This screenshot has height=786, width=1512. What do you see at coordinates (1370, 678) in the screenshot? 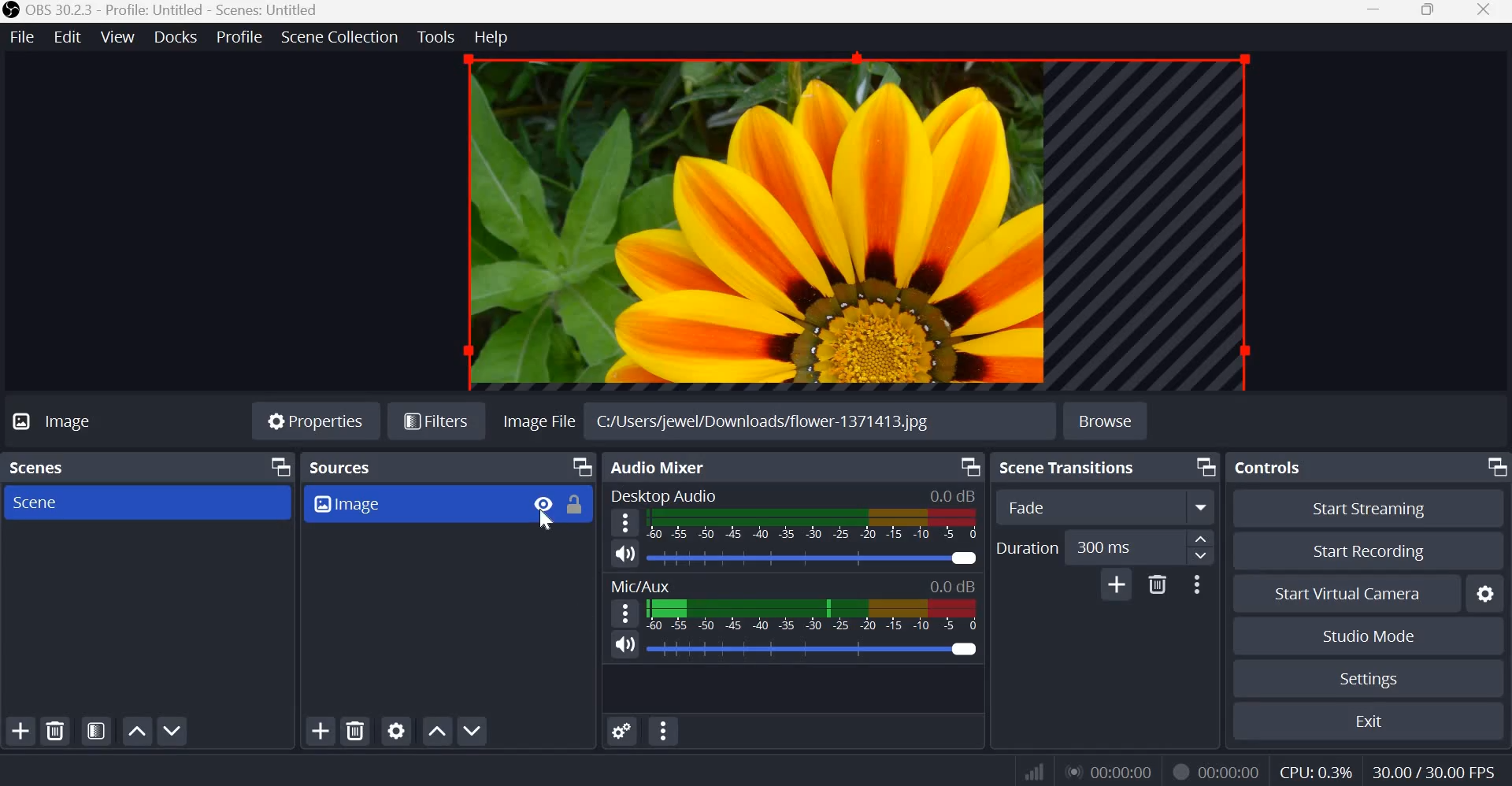
I see `Settings` at bounding box center [1370, 678].